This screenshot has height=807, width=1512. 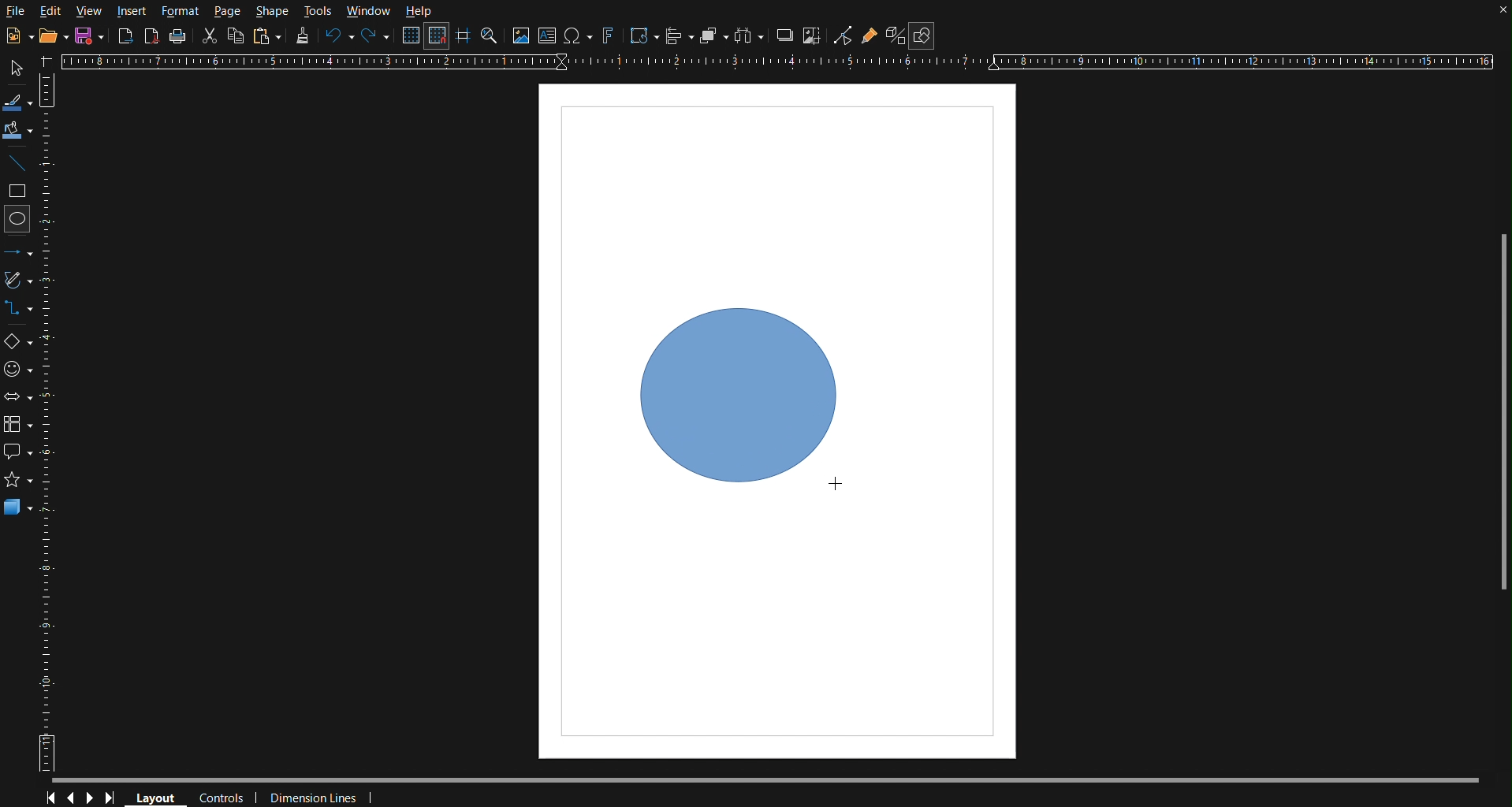 What do you see at coordinates (844, 37) in the screenshot?
I see `Toggle Point Edit Mode` at bounding box center [844, 37].